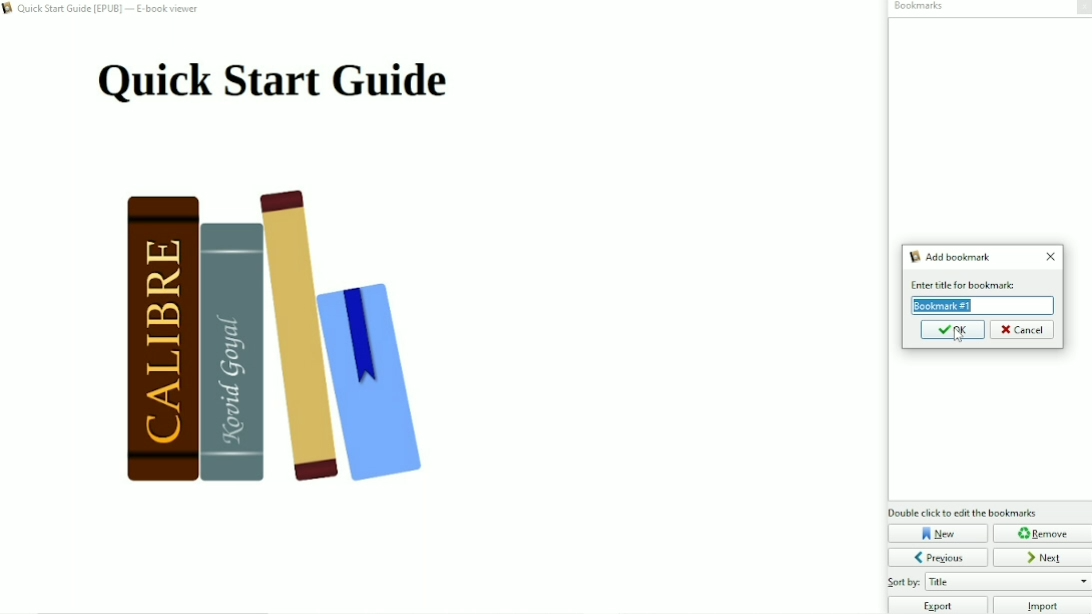  I want to click on logo, so click(8, 10).